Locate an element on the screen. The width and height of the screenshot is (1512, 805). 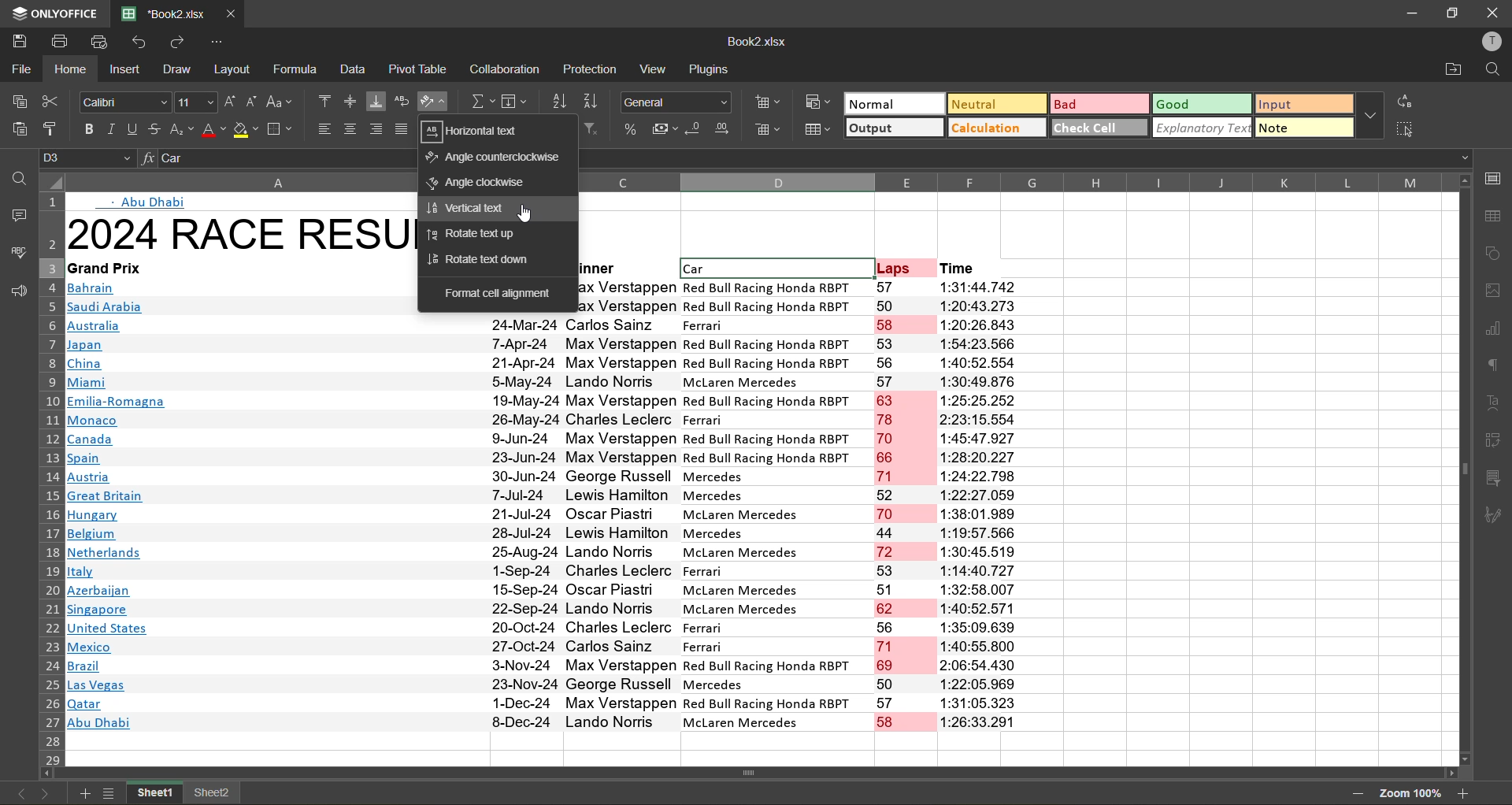
format cell alignment is located at coordinates (498, 293).